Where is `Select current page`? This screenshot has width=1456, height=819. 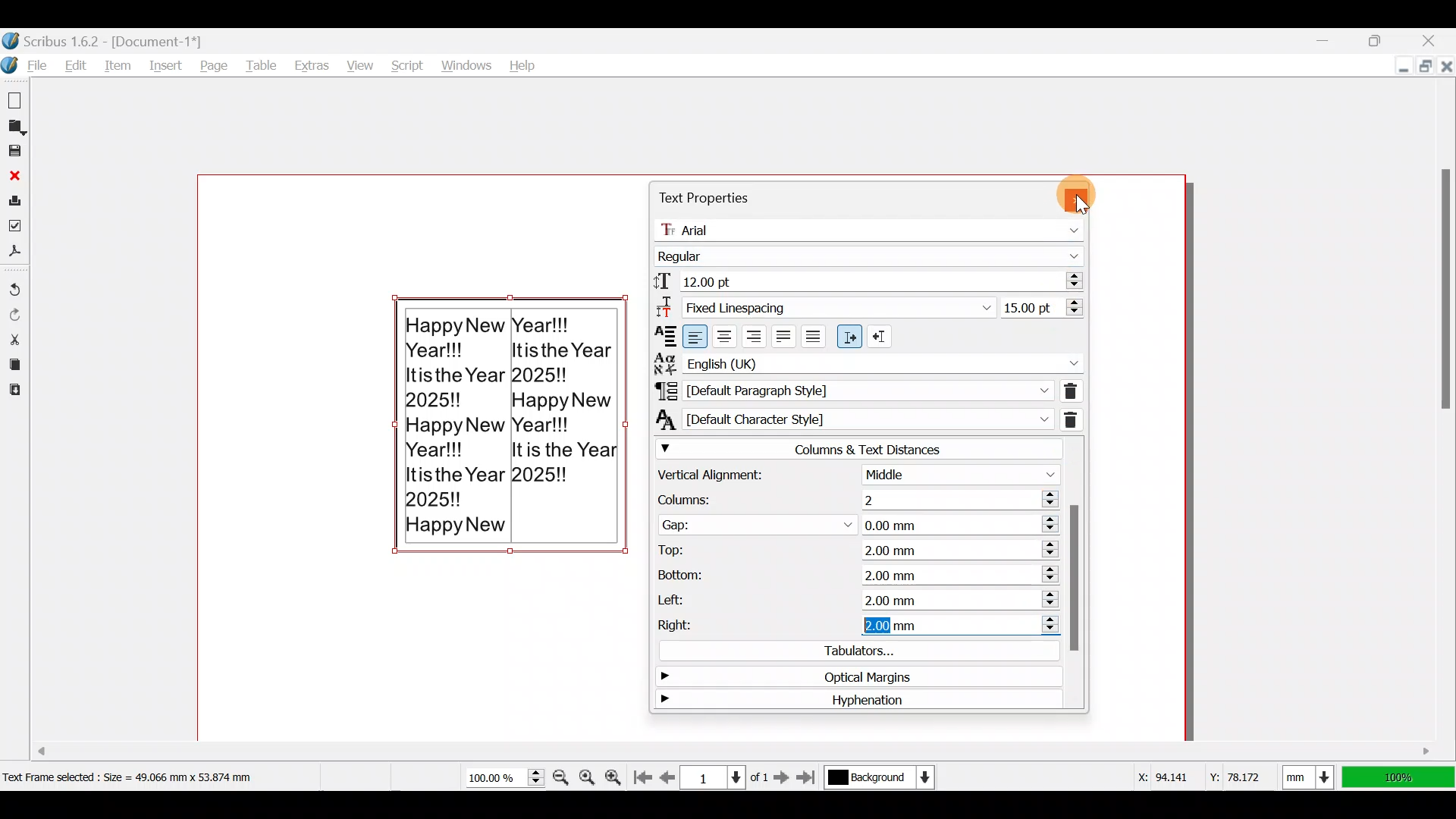
Select current page is located at coordinates (723, 776).